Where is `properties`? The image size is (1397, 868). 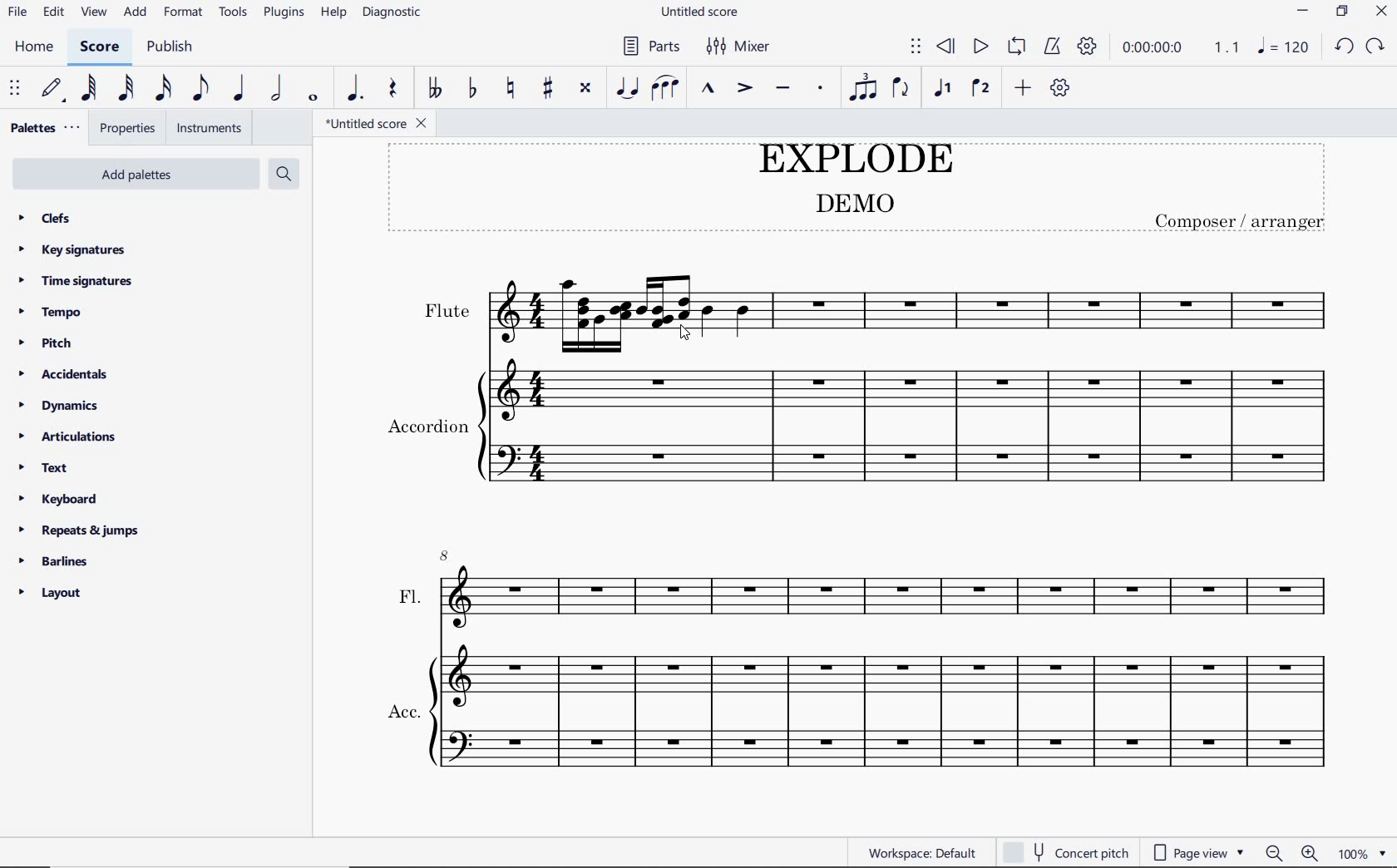 properties is located at coordinates (126, 129).